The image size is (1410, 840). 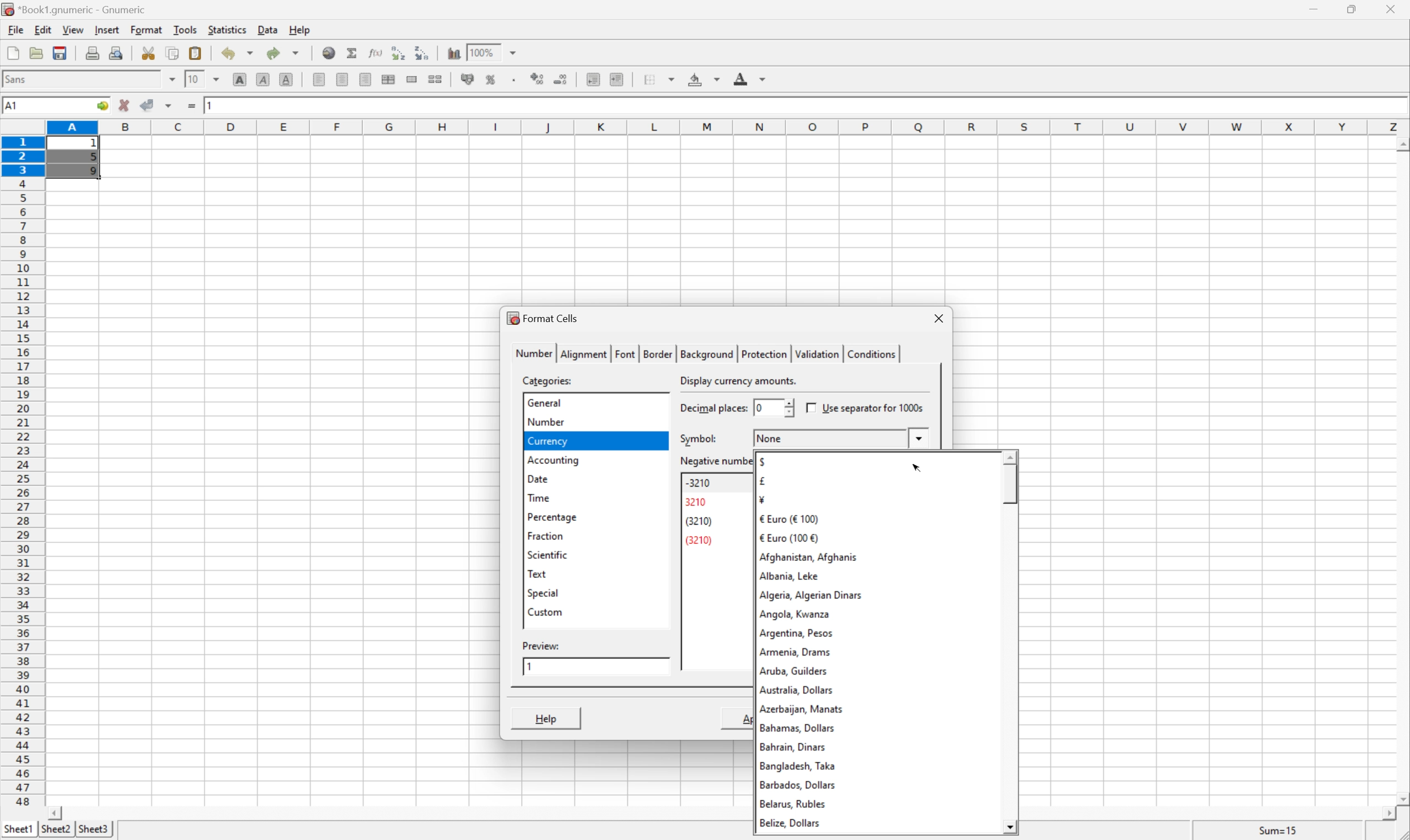 I want to click on accounting, so click(x=554, y=460).